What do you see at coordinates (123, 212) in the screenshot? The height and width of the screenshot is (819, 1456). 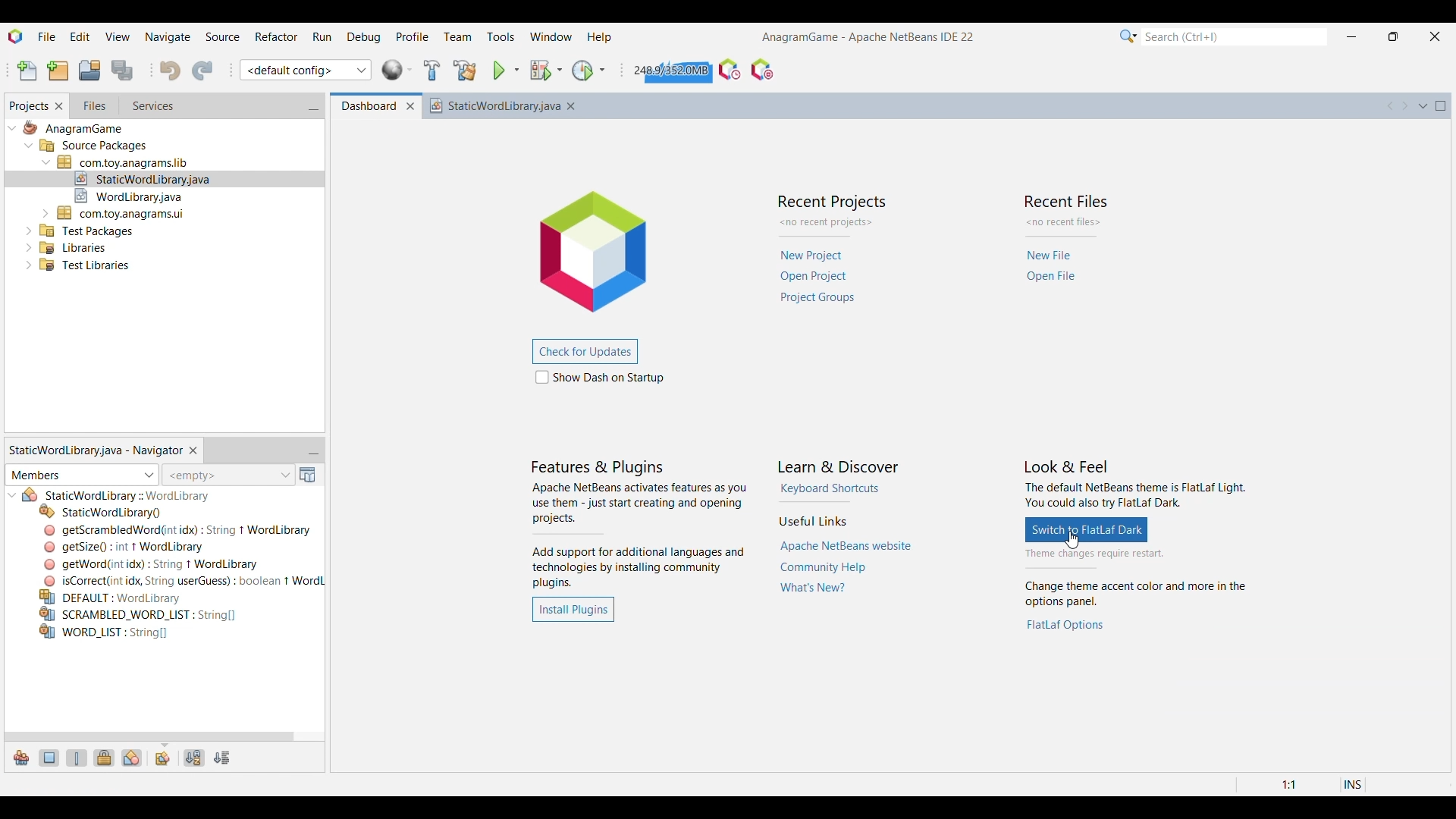 I see `` at bounding box center [123, 212].